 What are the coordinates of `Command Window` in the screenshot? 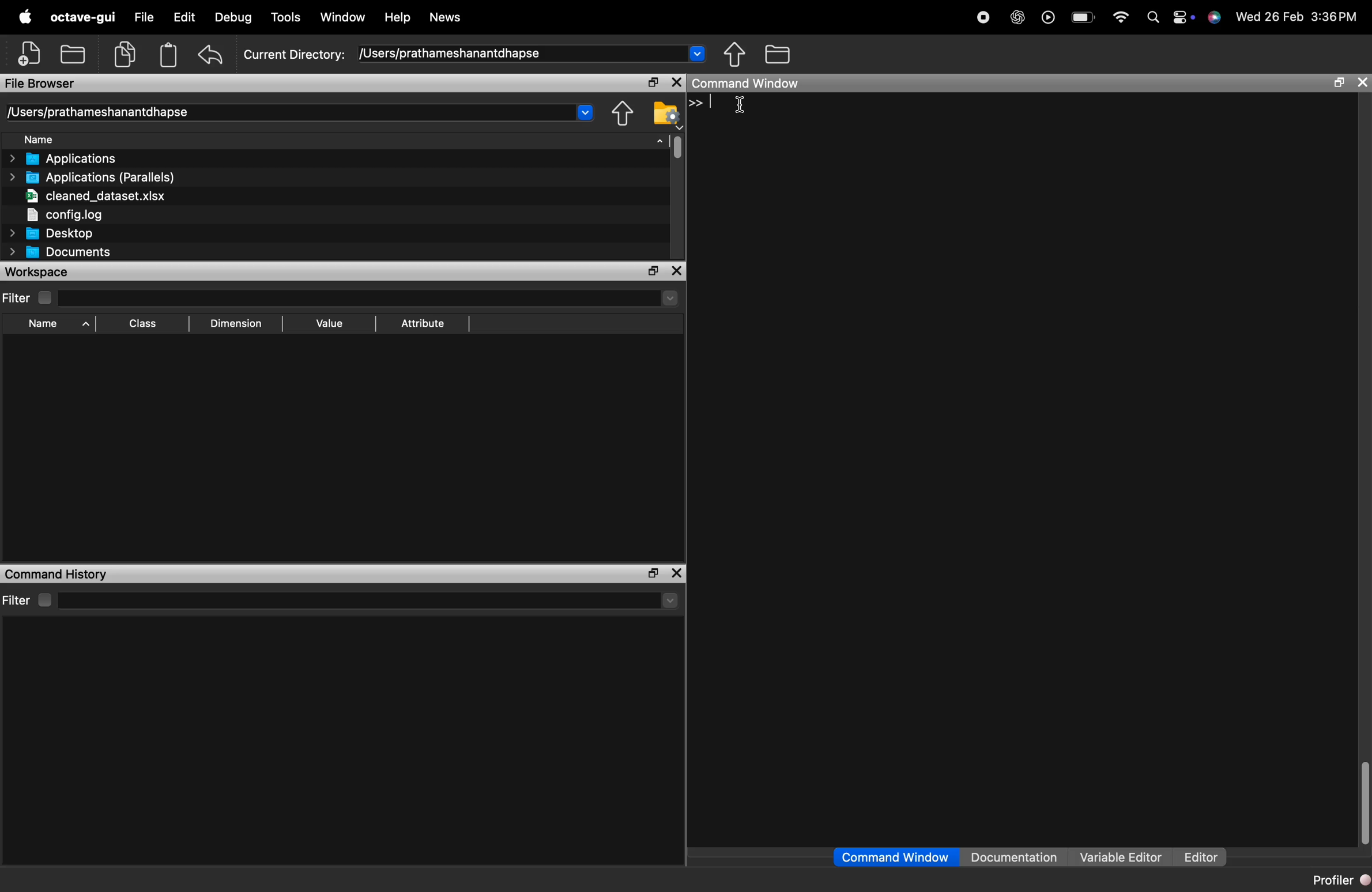 It's located at (1004, 84).